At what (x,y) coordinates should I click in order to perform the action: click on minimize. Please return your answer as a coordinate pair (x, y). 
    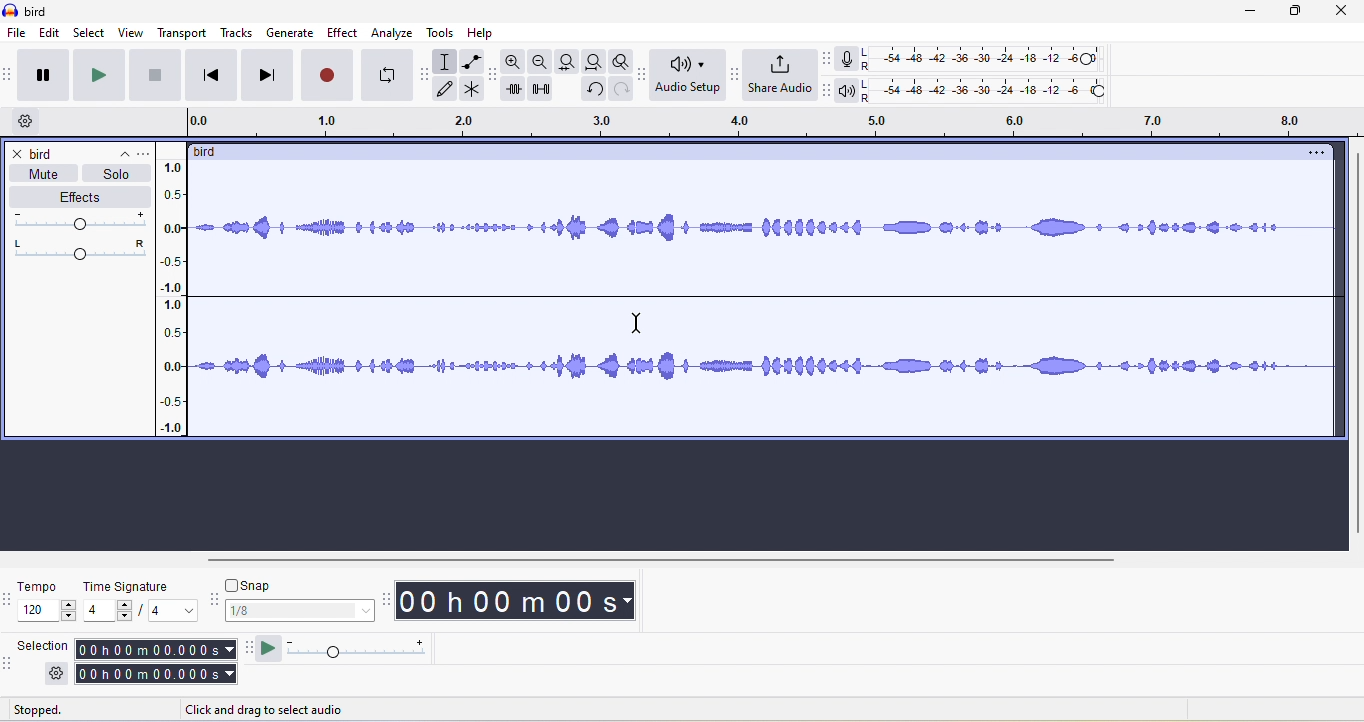
    Looking at the image, I should click on (1260, 15).